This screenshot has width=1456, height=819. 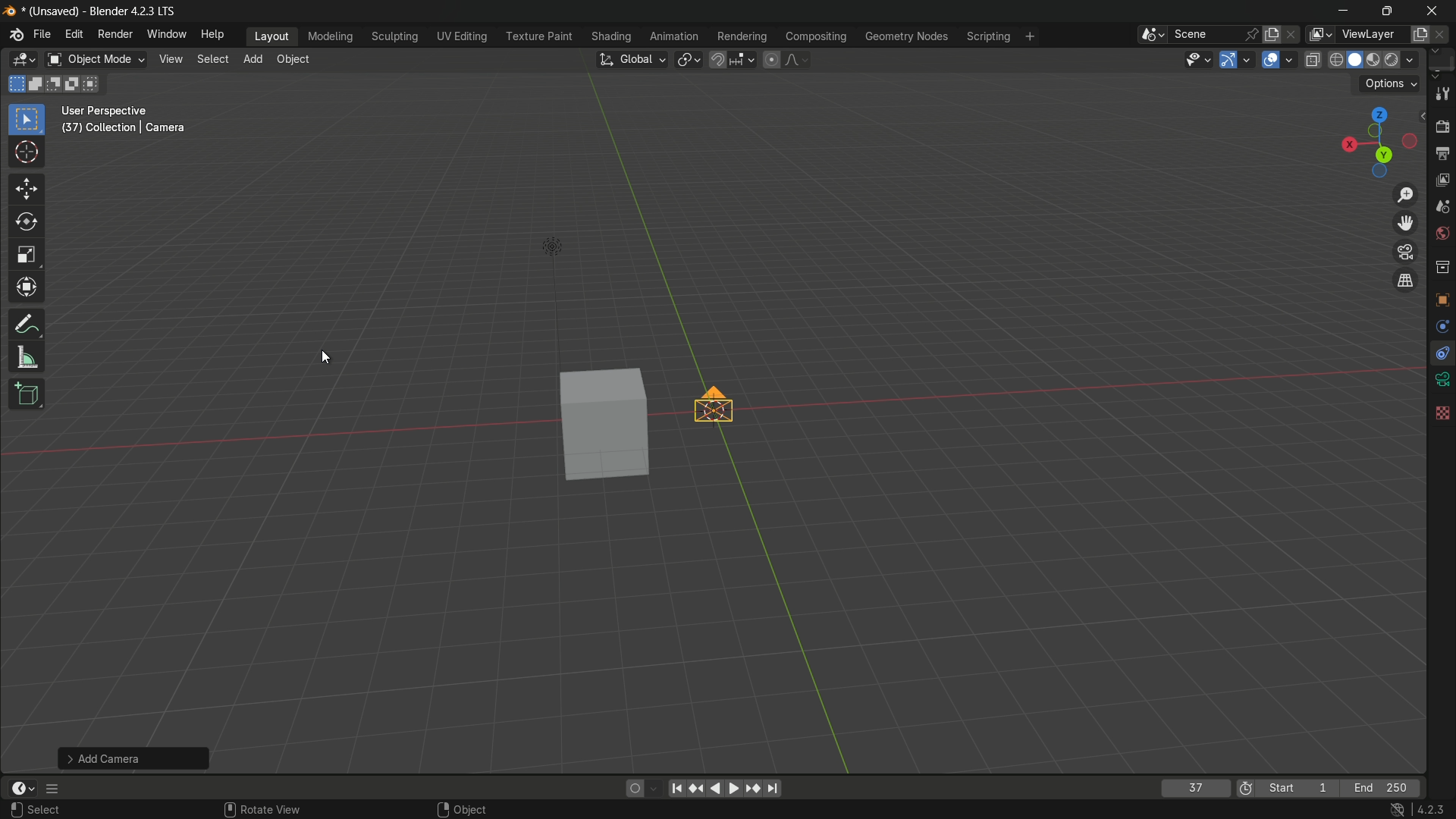 What do you see at coordinates (1150, 35) in the screenshot?
I see `browse scene` at bounding box center [1150, 35].